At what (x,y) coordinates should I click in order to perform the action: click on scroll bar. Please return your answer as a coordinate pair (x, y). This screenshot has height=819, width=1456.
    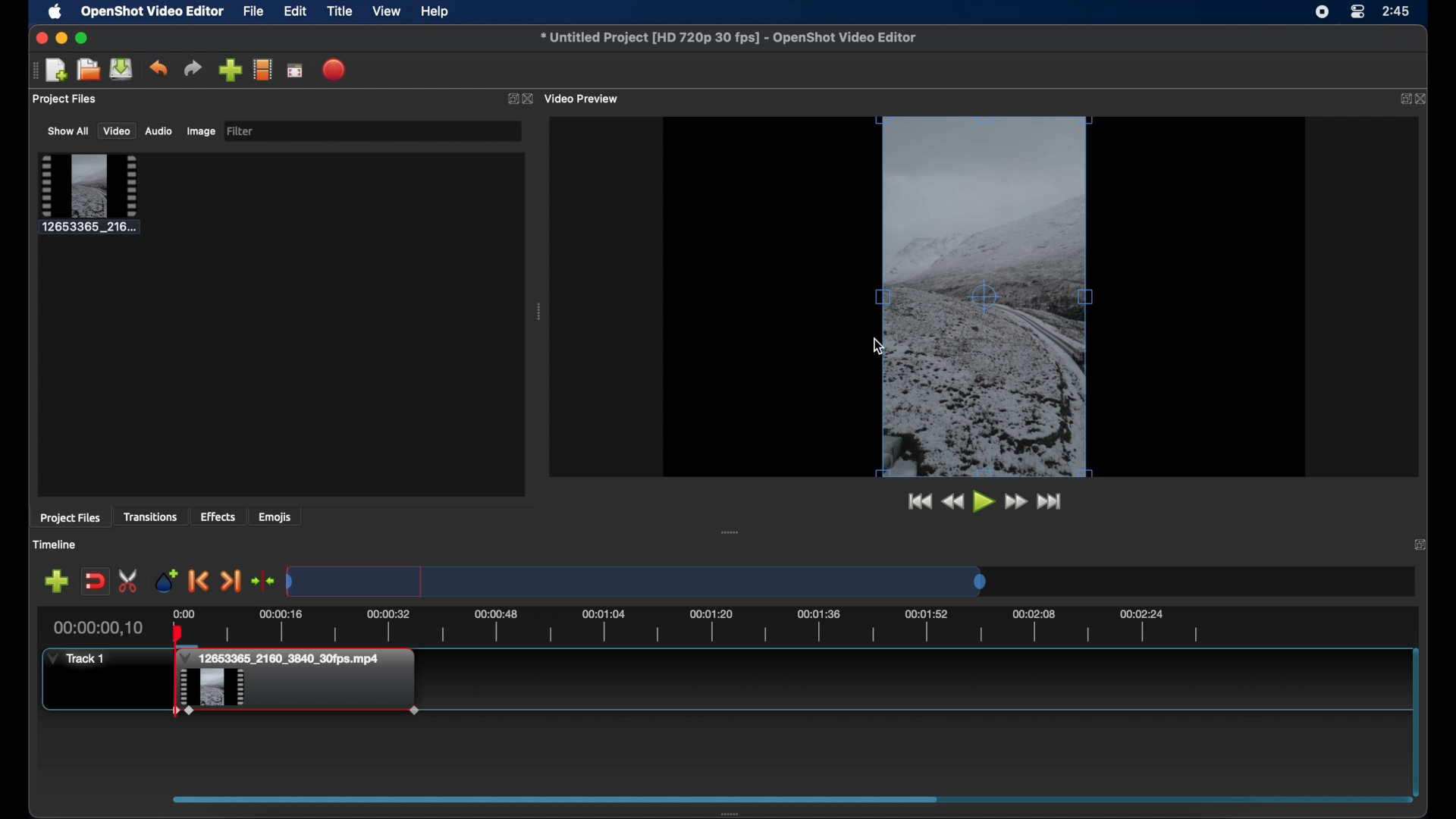
    Looking at the image, I should click on (1415, 719).